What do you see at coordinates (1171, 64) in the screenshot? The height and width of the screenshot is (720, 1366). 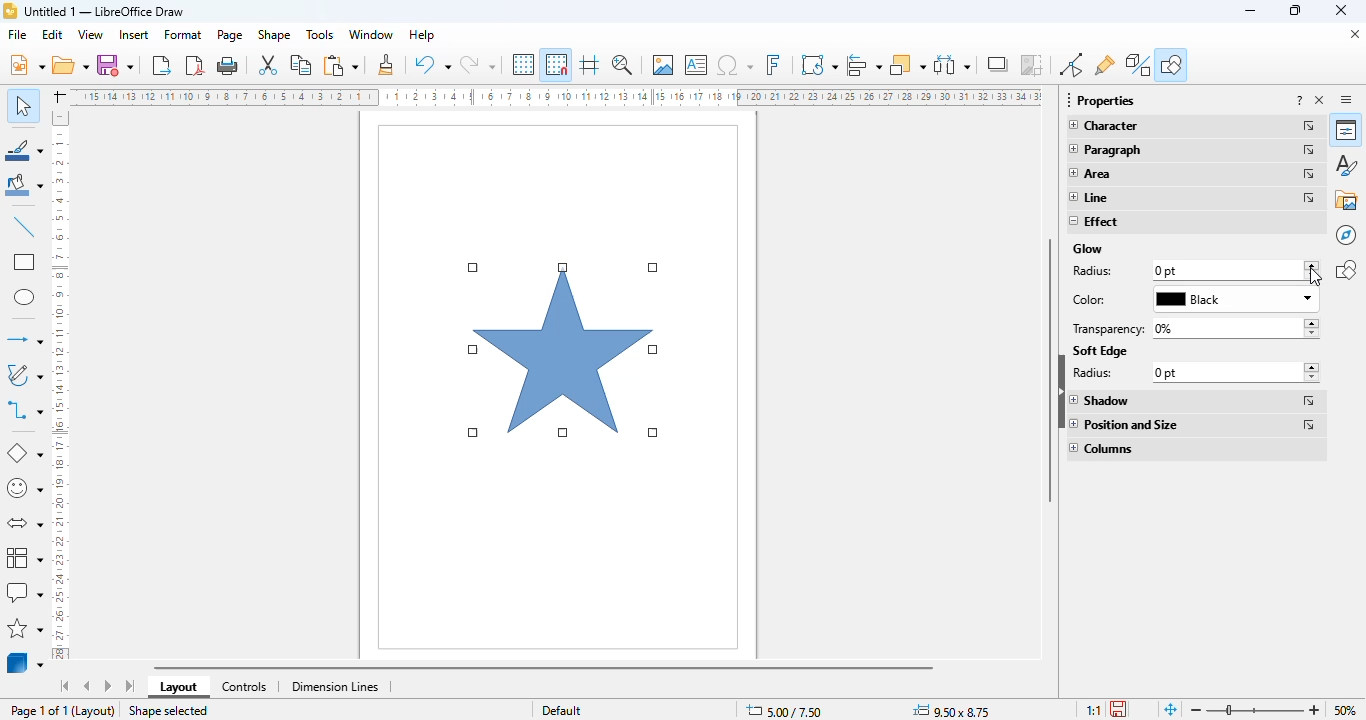 I see `show draw functions` at bounding box center [1171, 64].